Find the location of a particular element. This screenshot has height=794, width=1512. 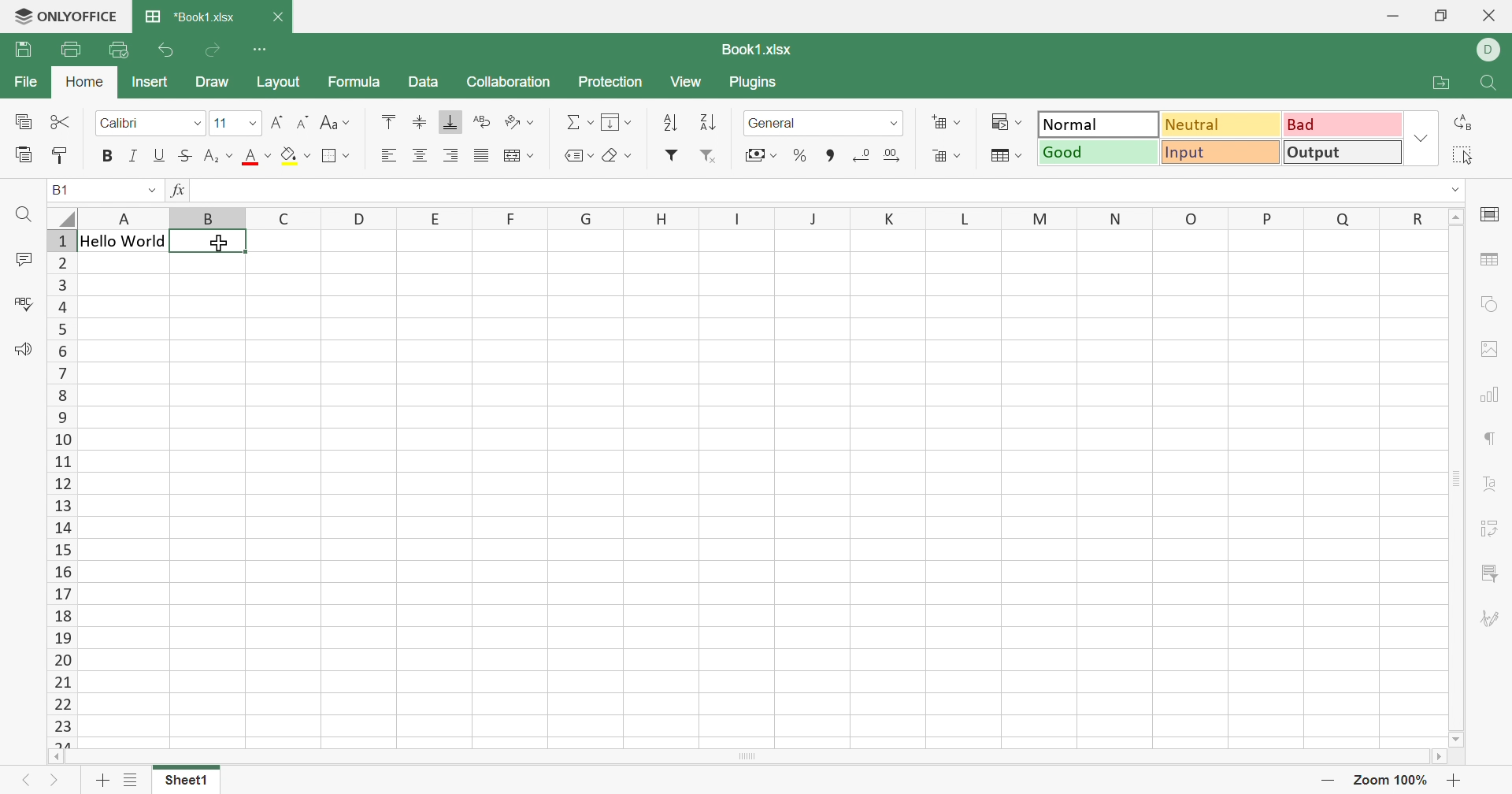

Named ranges is located at coordinates (579, 155).